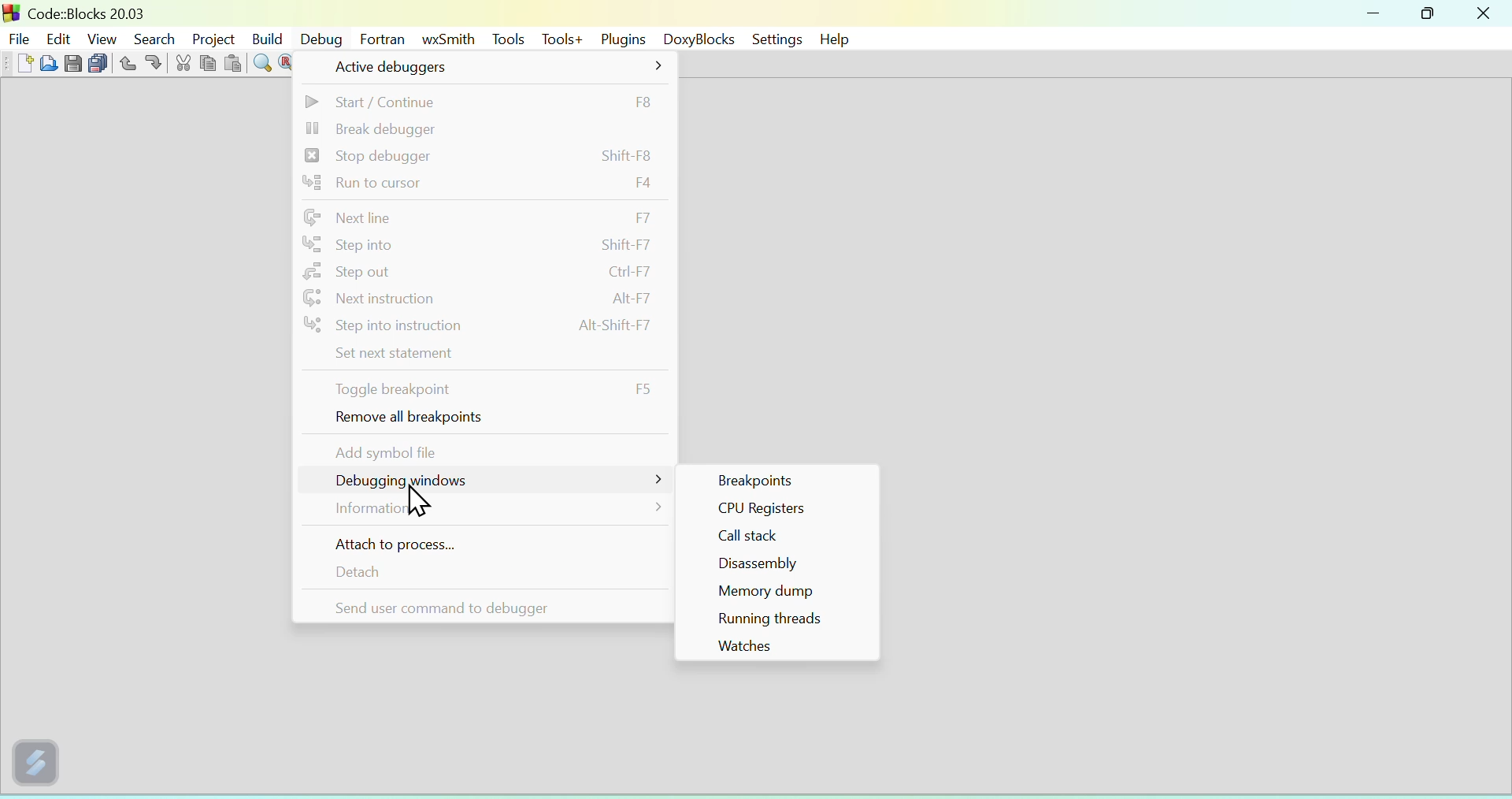 This screenshot has width=1512, height=799. What do you see at coordinates (208, 63) in the screenshot?
I see `copy` at bounding box center [208, 63].